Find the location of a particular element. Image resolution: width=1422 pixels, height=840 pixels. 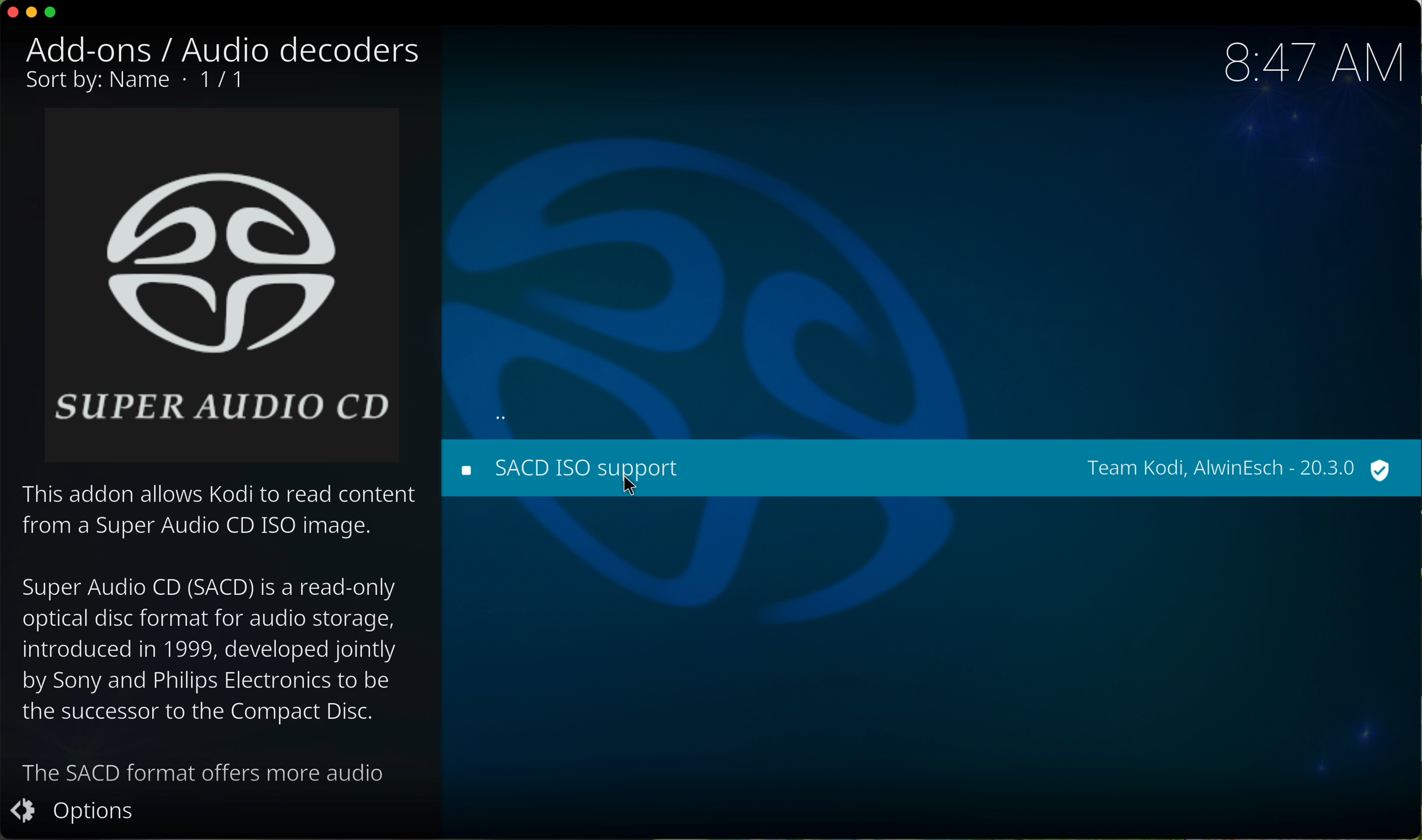

image is located at coordinates (224, 283).